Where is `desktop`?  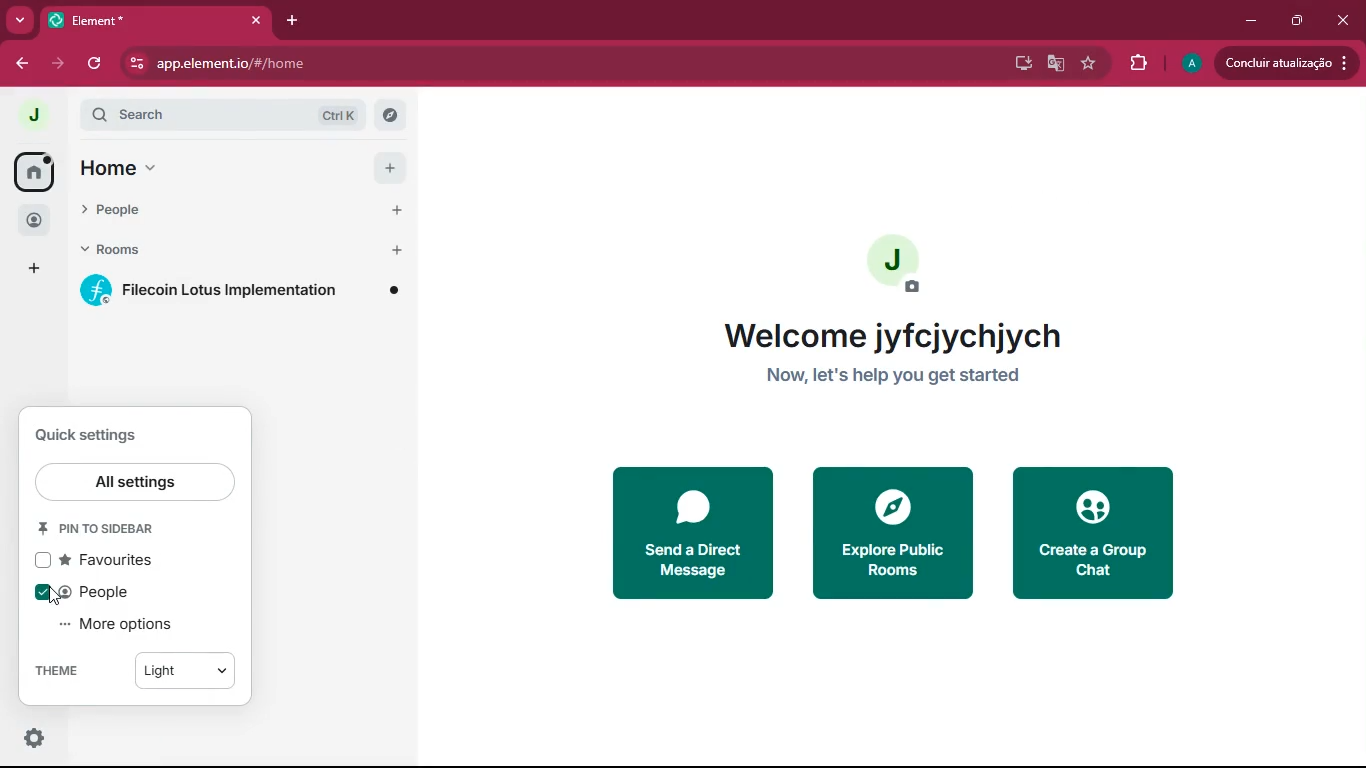 desktop is located at coordinates (1021, 63).